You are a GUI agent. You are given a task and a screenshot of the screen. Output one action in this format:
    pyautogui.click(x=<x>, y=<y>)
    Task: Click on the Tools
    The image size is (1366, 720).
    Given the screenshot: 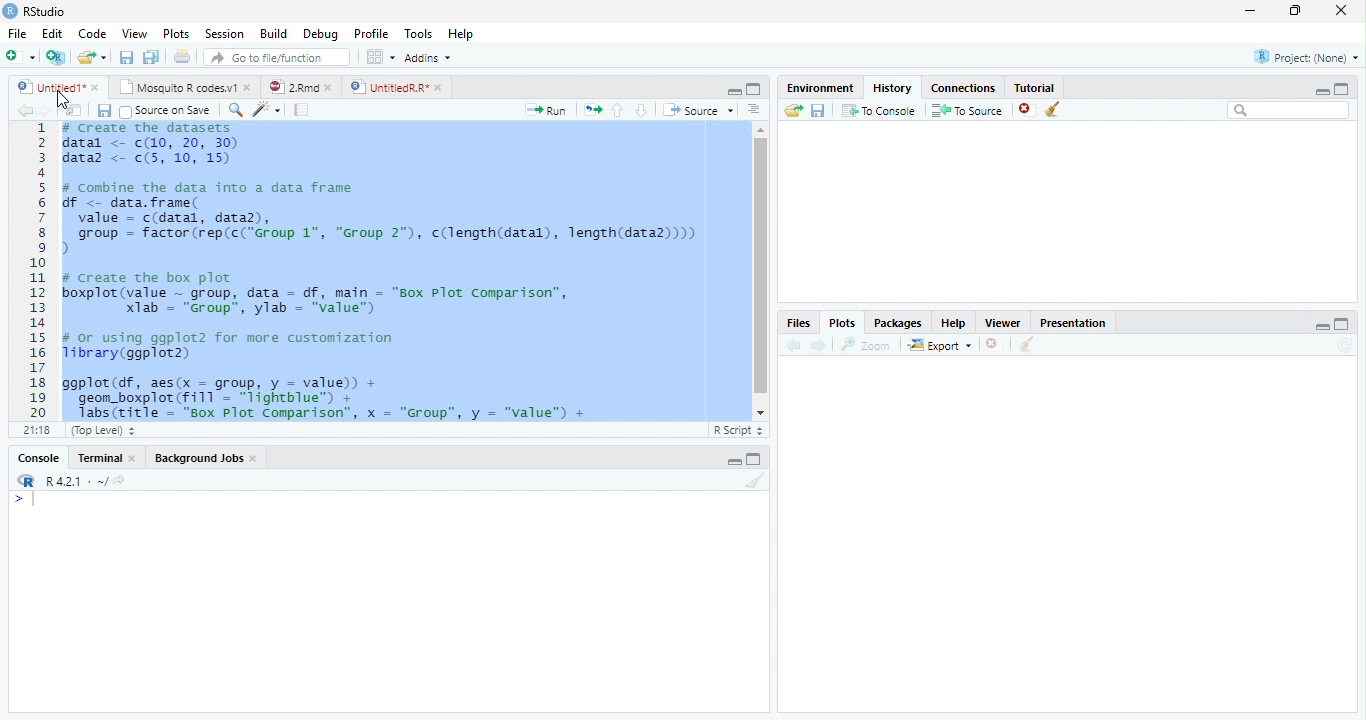 What is the action you would take?
    pyautogui.click(x=418, y=32)
    